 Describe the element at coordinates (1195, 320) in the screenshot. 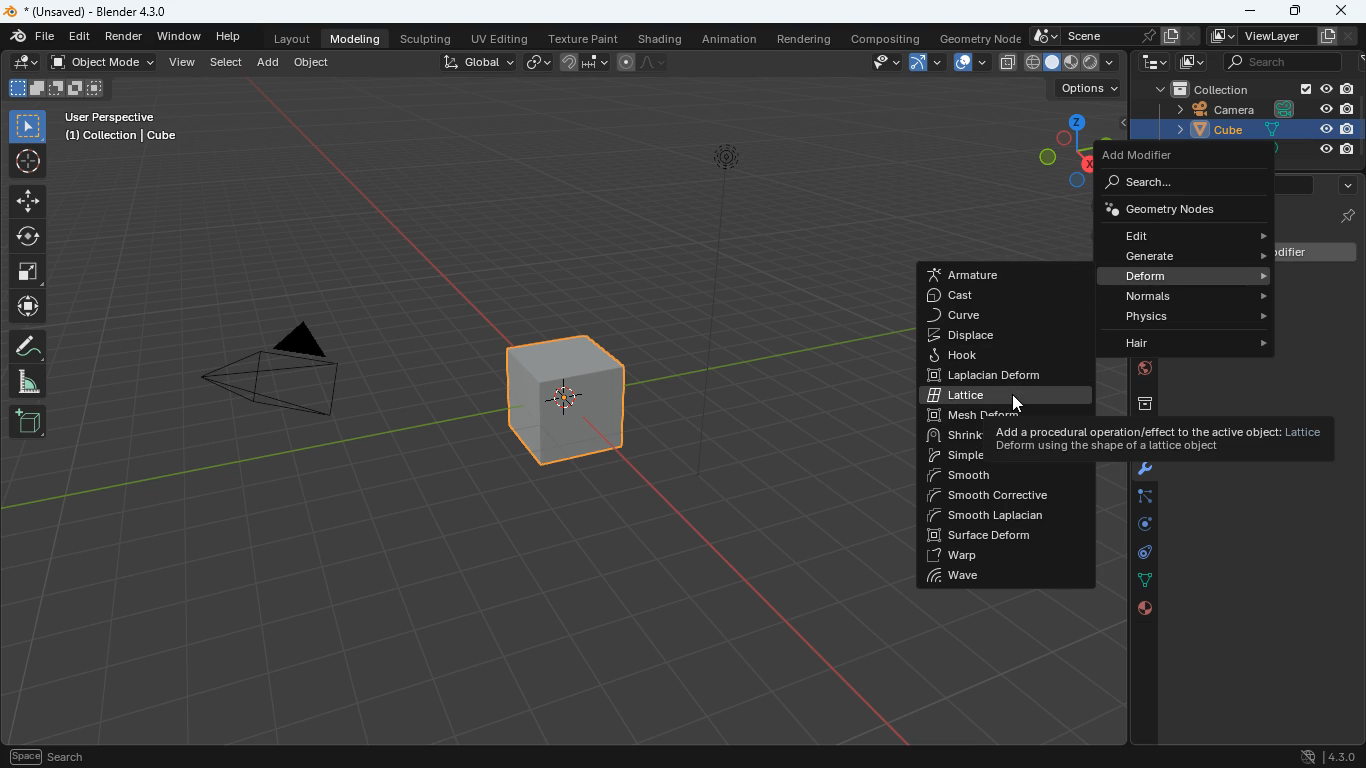

I see `physics` at that location.